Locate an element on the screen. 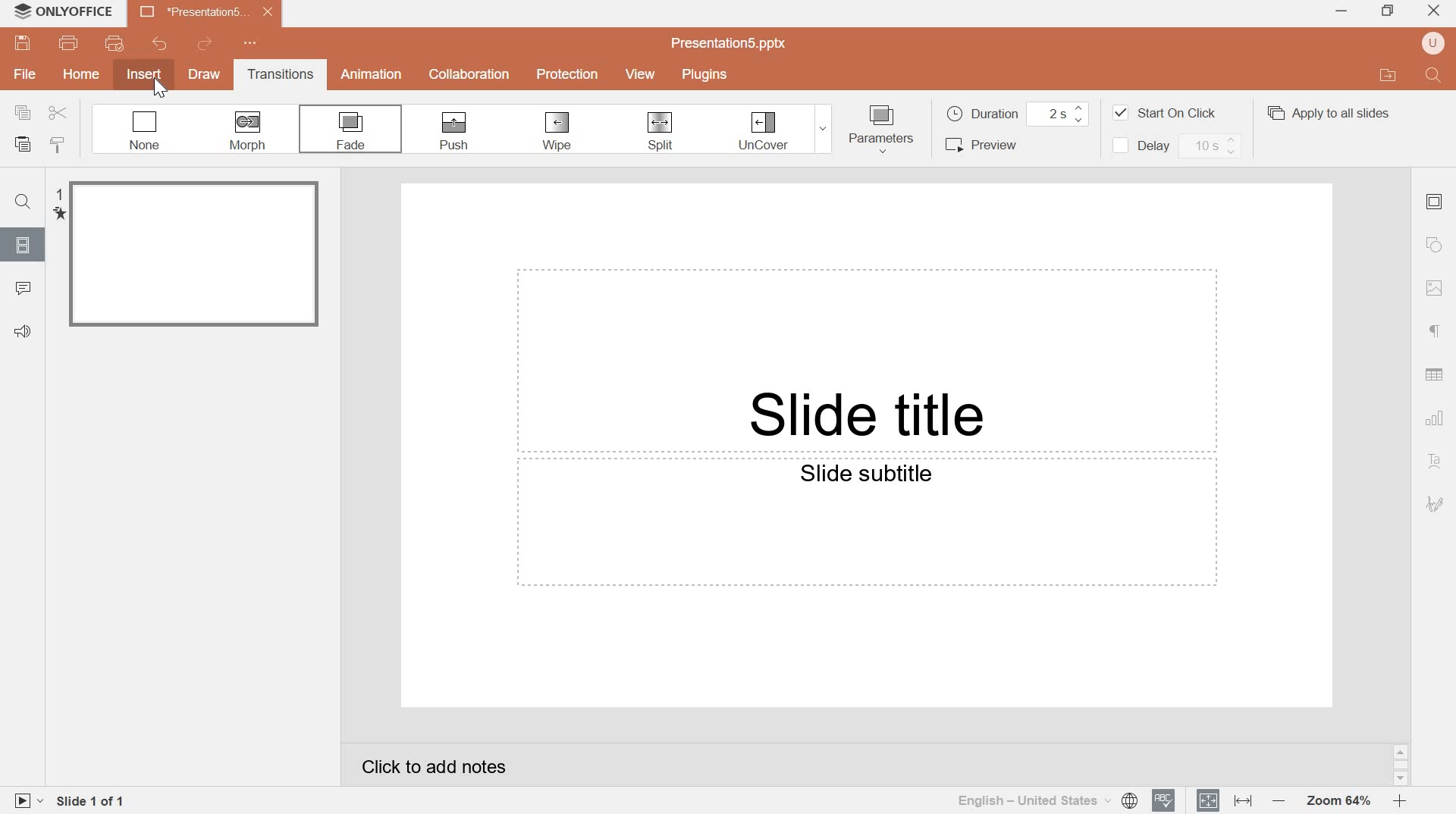 Image resolution: width=1456 pixels, height=814 pixels. Protection is located at coordinates (569, 75).